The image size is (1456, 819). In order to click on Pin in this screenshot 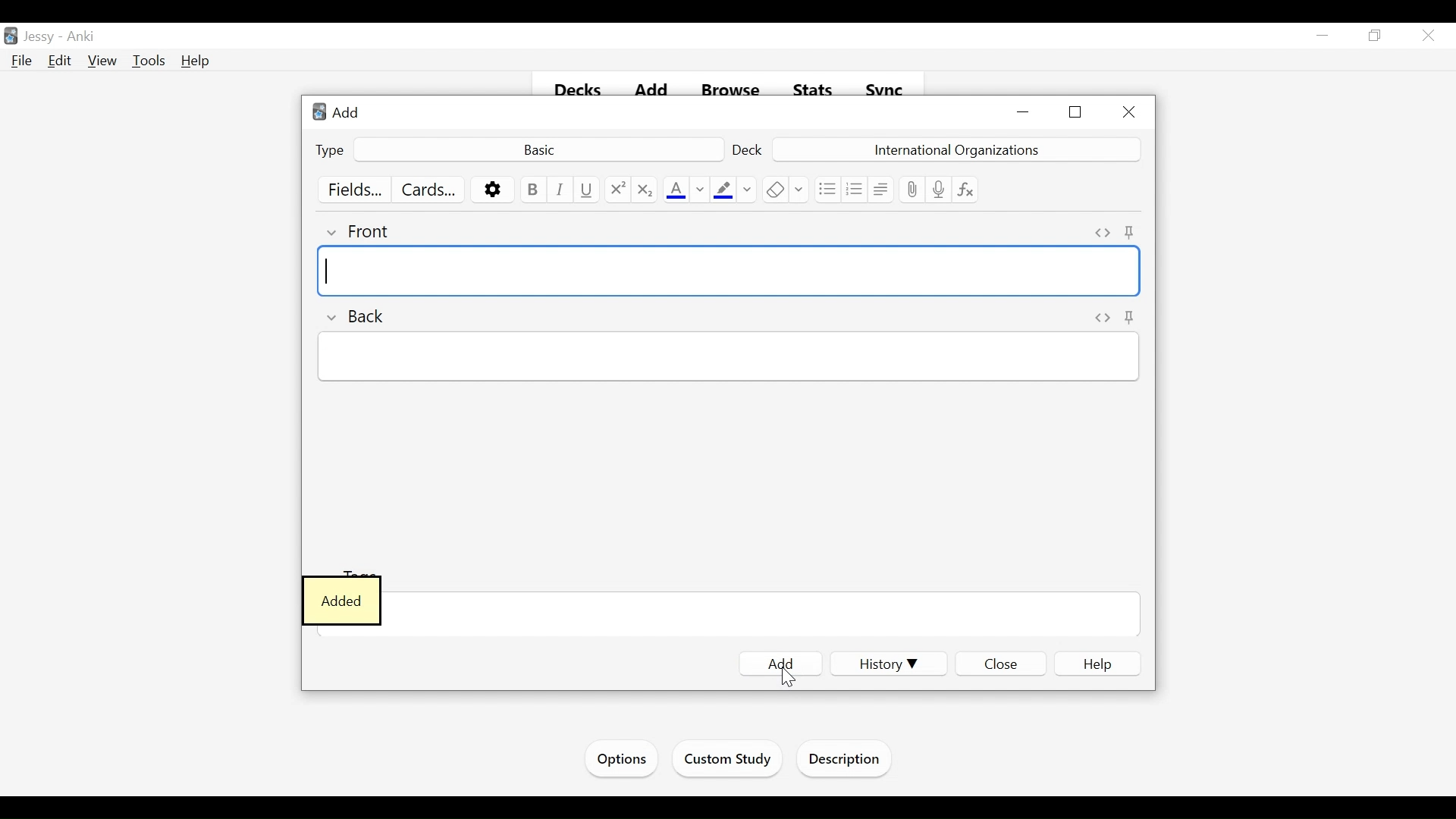, I will do `click(1131, 318)`.